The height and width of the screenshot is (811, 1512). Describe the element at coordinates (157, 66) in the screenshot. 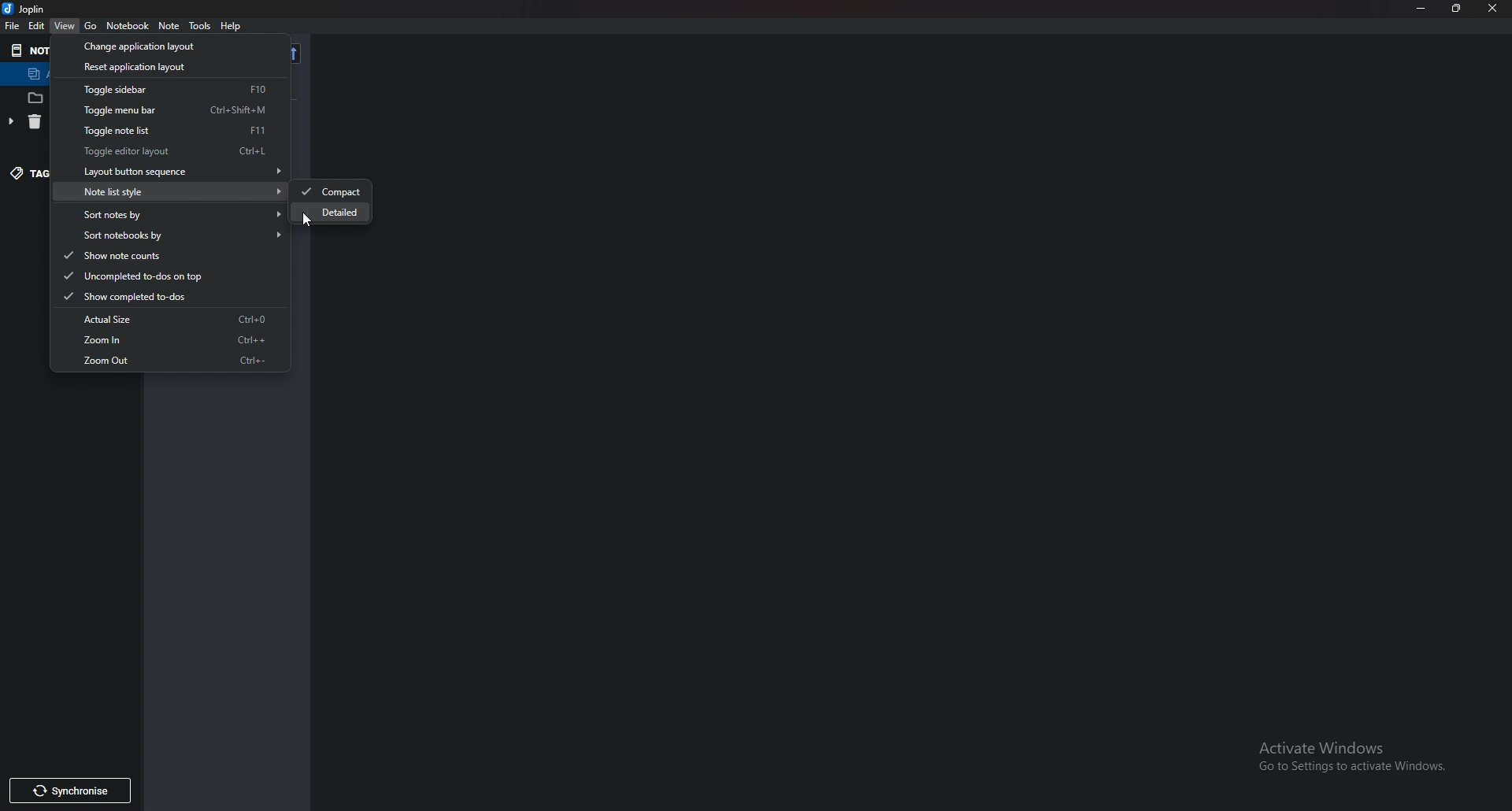

I see `Reset application layout` at that location.